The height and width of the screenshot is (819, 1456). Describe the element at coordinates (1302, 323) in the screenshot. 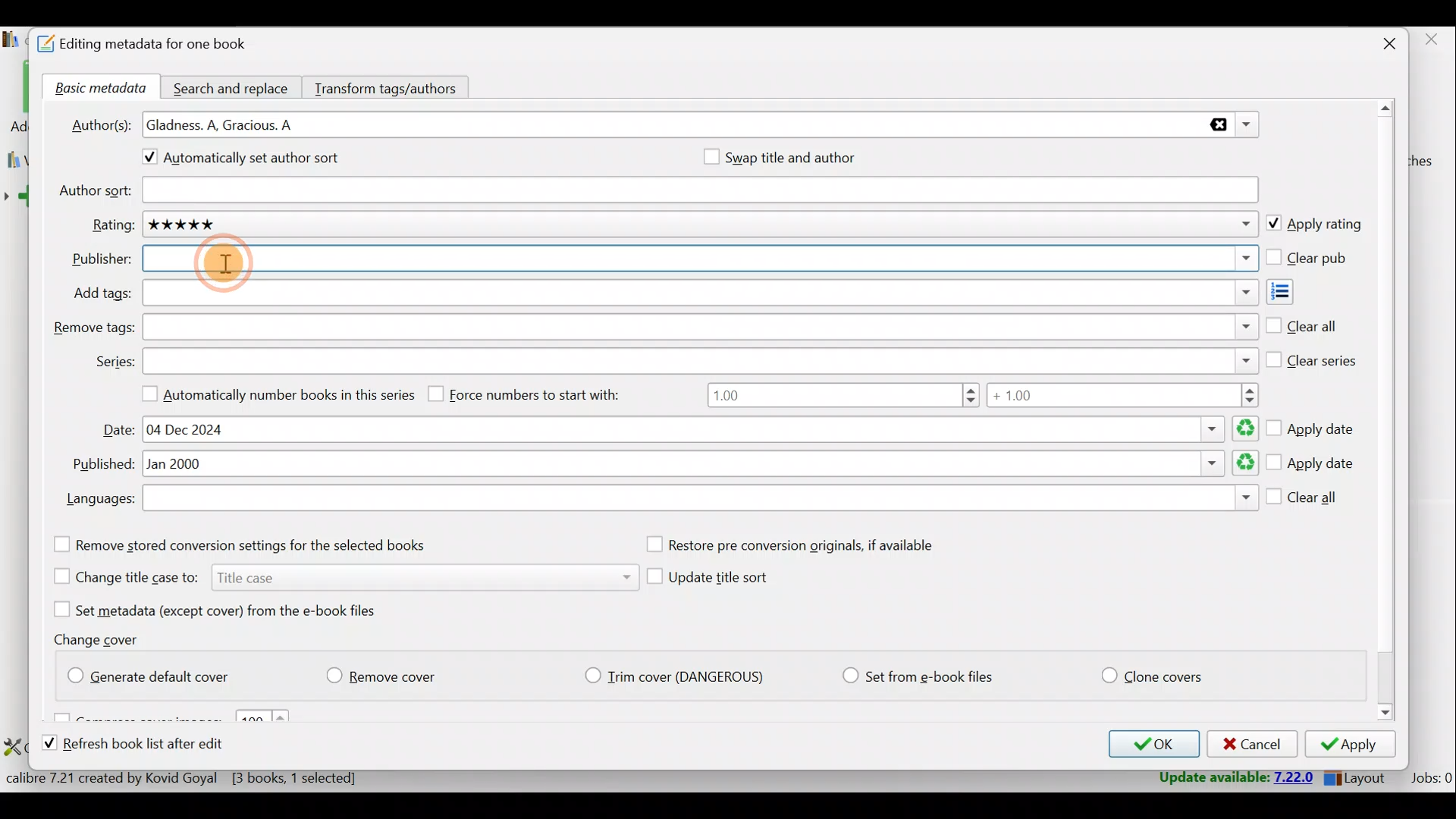

I see `Clear all` at that location.